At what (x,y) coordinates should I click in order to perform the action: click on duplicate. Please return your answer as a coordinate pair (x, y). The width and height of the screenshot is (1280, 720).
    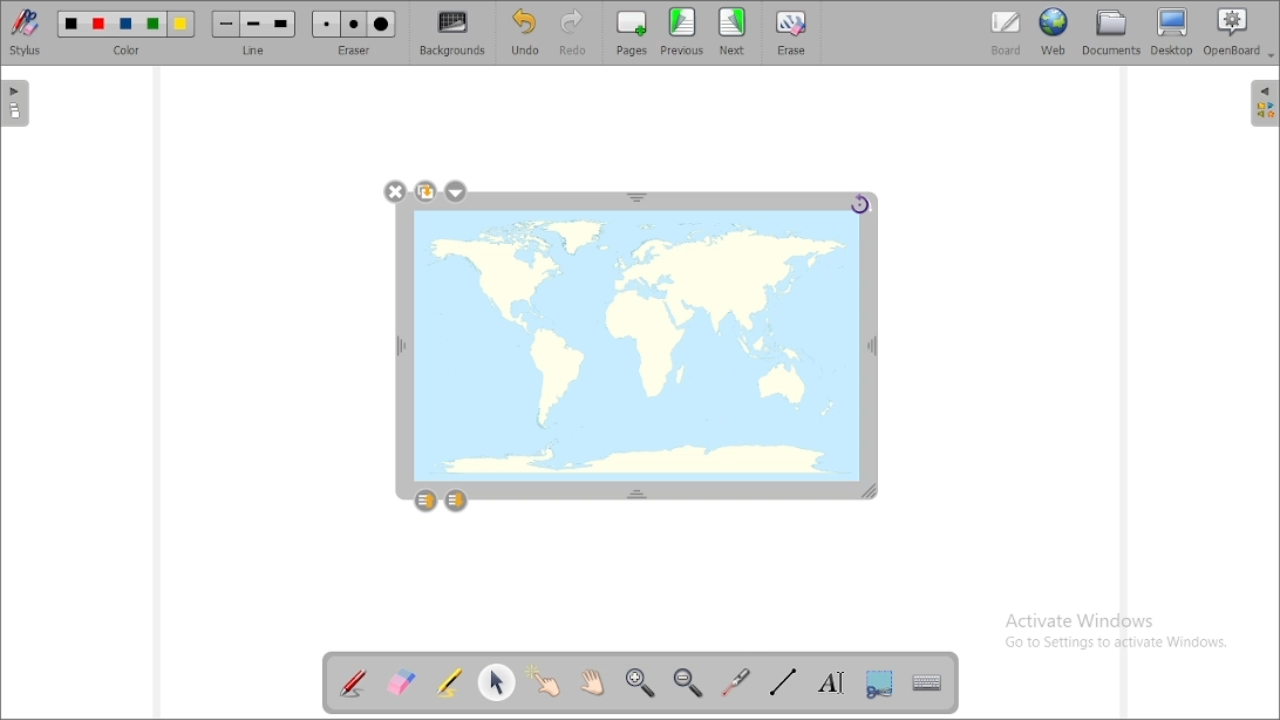
    Looking at the image, I should click on (425, 192).